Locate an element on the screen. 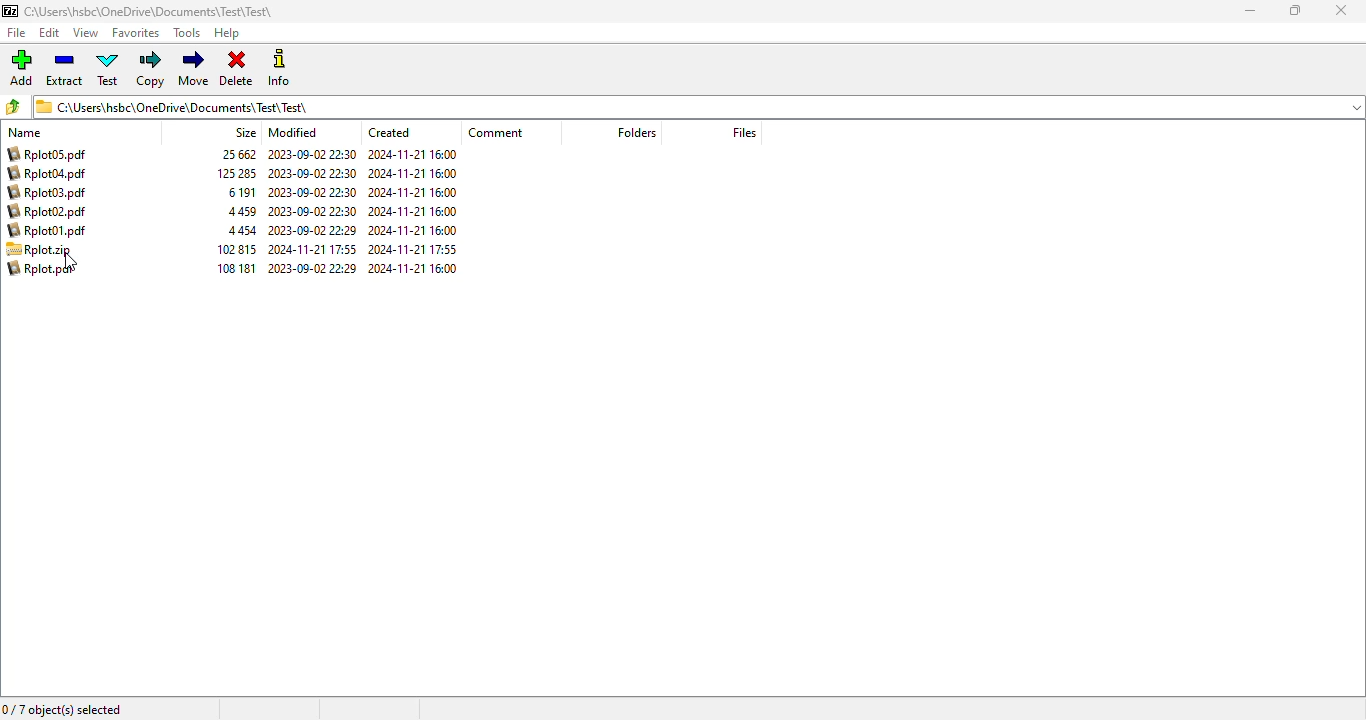  Rplot05.pdf is located at coordinates (50, 154).